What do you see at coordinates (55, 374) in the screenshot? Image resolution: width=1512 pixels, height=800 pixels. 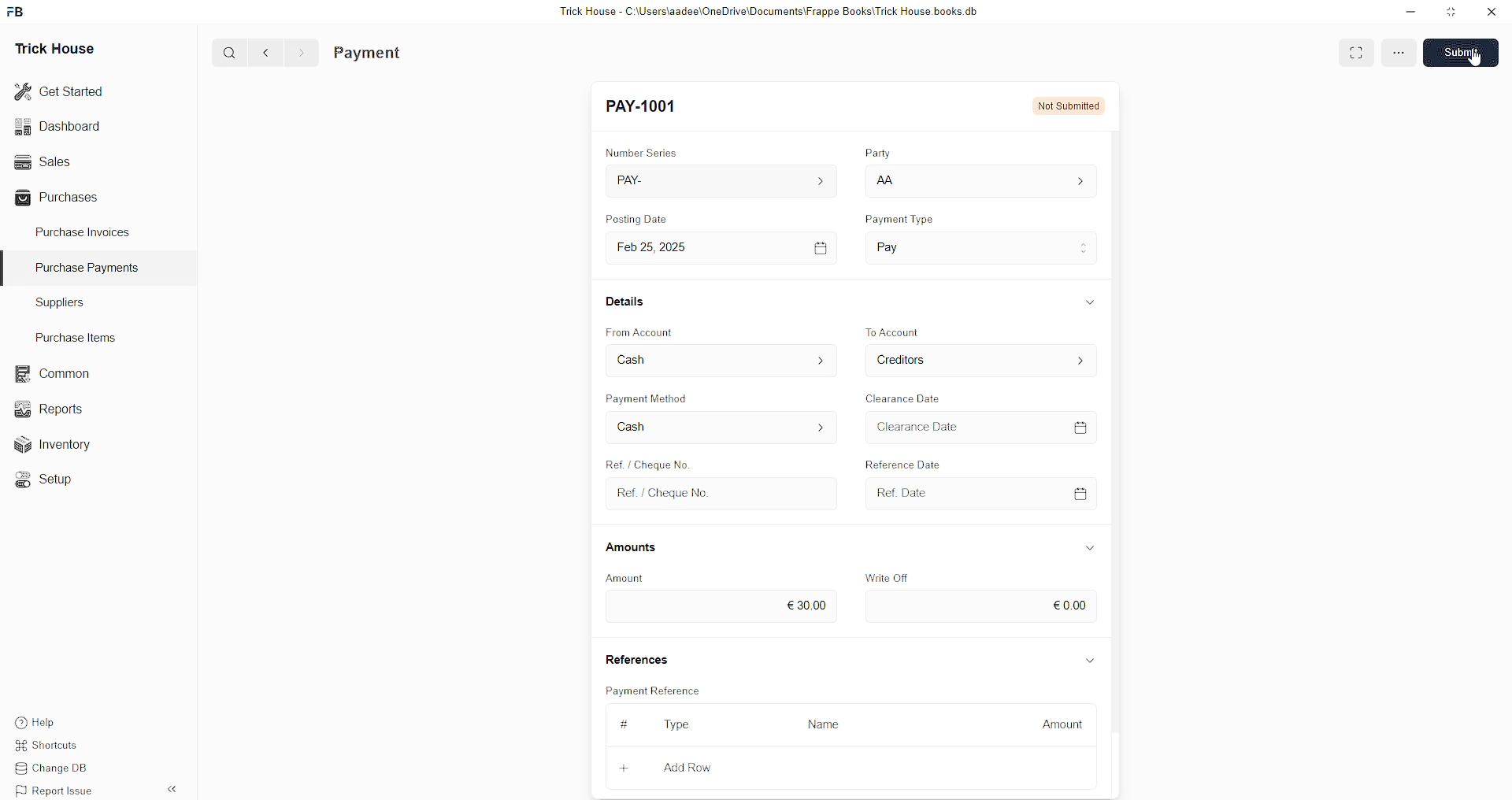 I see `common` at bounding box center [55, 374].